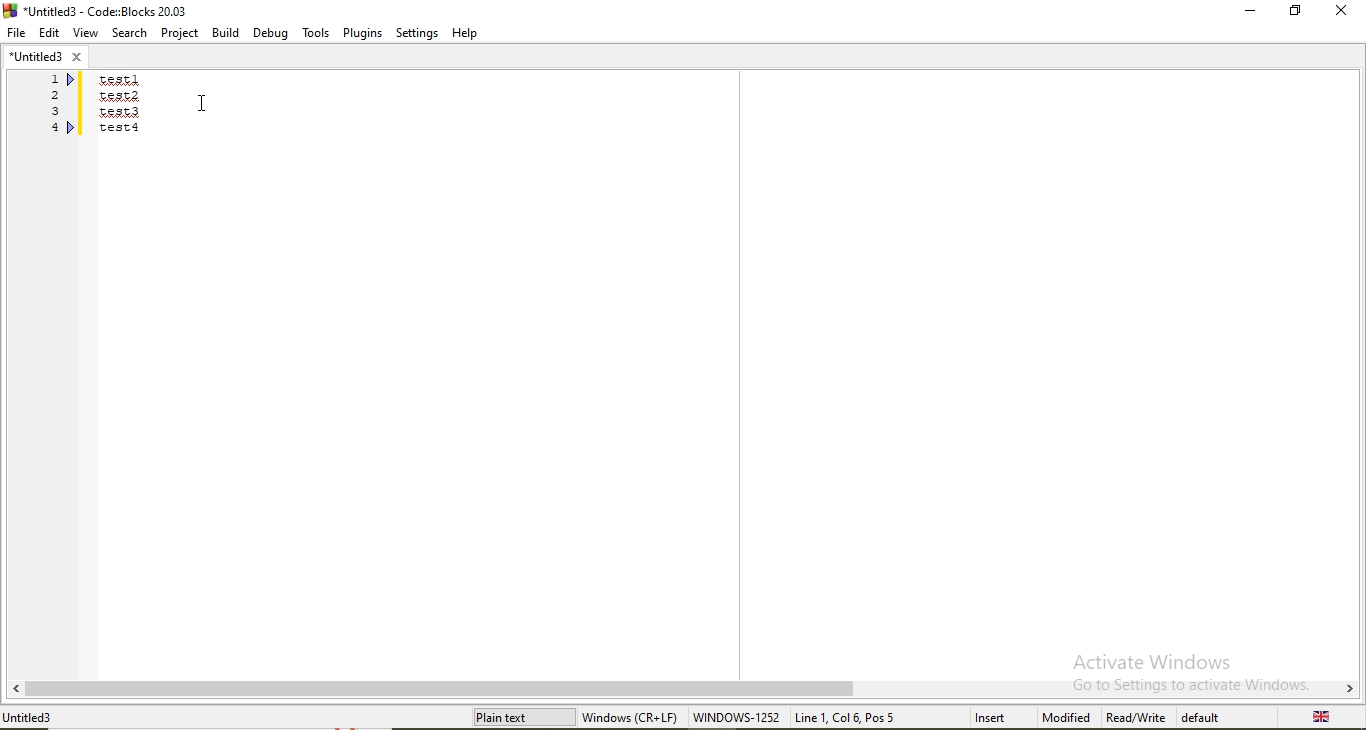 Image resolution: width=1366 pixels, height=730 pixels. What do you see at coordinates (121, 106) in the screenshot?
I see `test1/test2/test3/test4` at bounding box center [121, 106].